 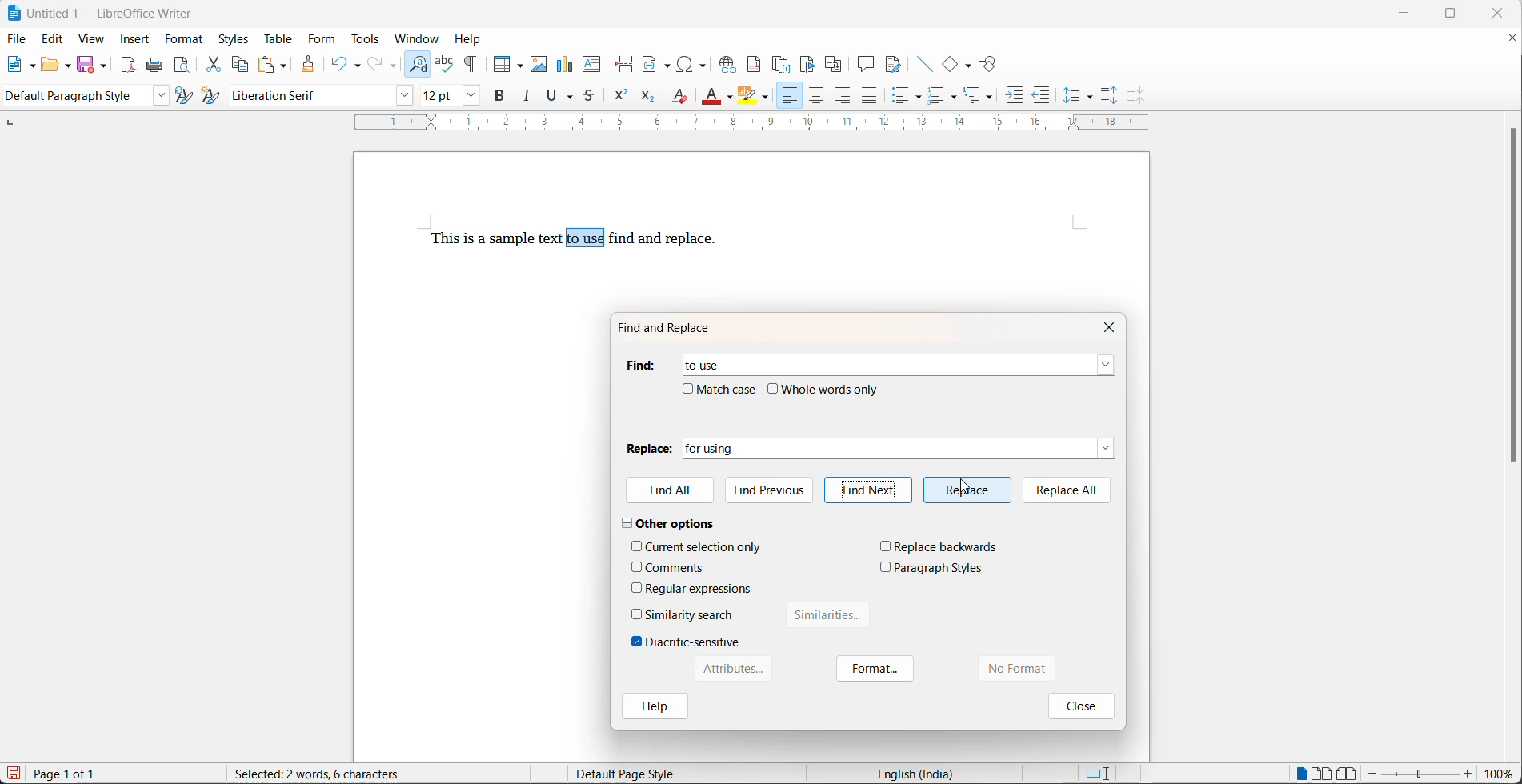 I want to click on increase zoom, so click(x=1470, y=775).